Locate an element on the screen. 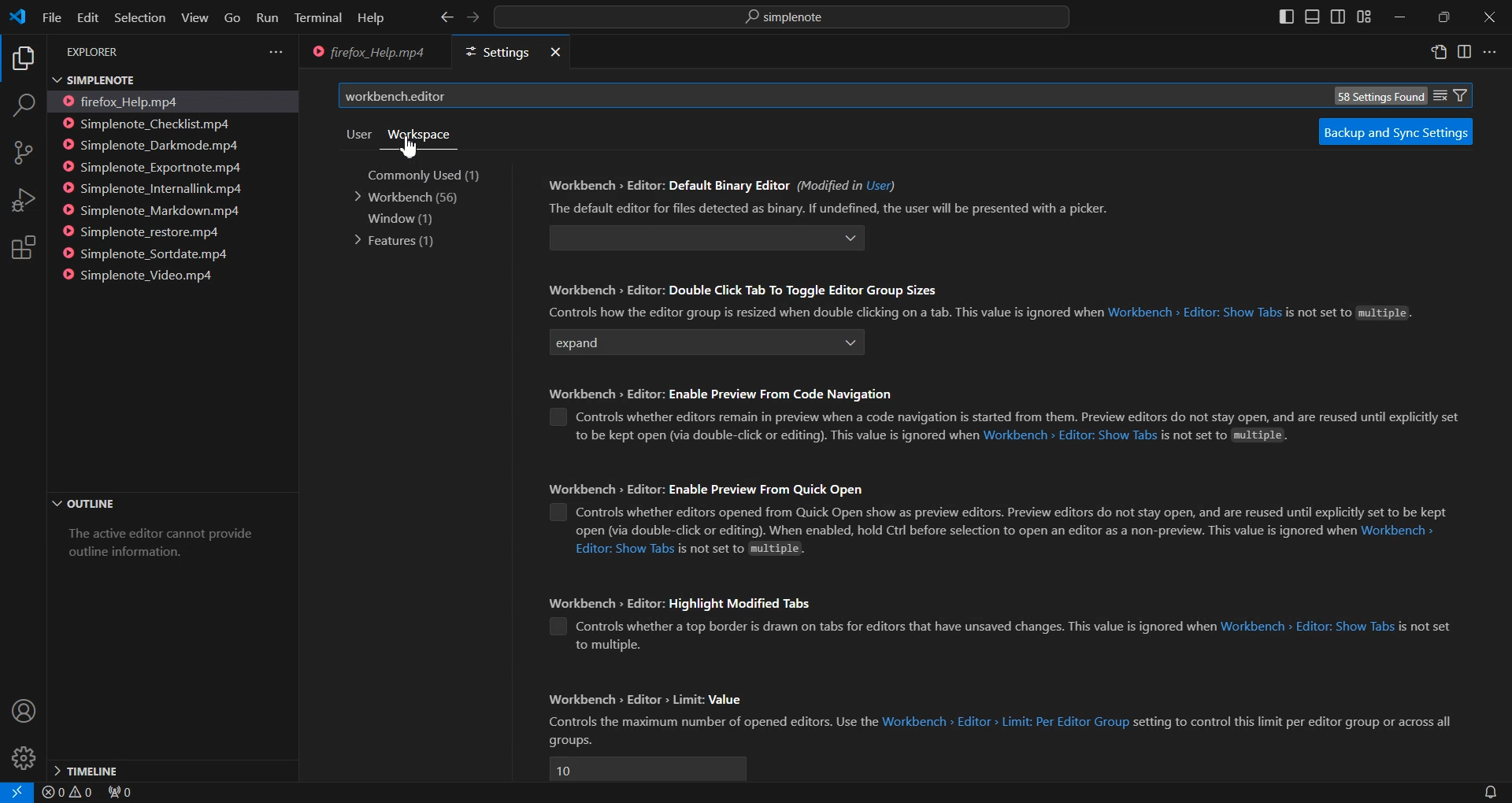 The height and width of the screenshot is (803, 1512). File is located at coordinates (50, 17).